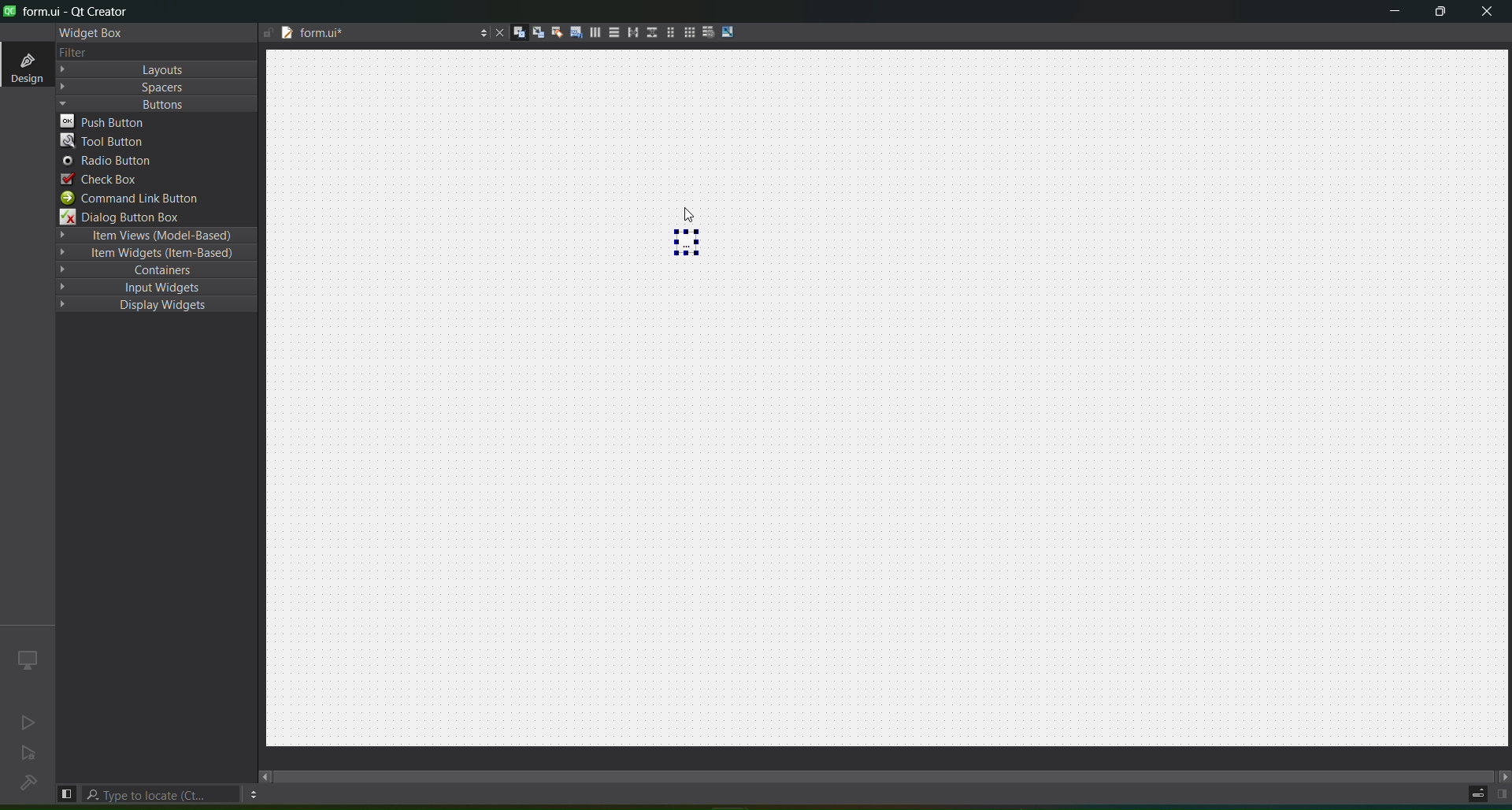  I want to click on cursor, so click(675, 204).